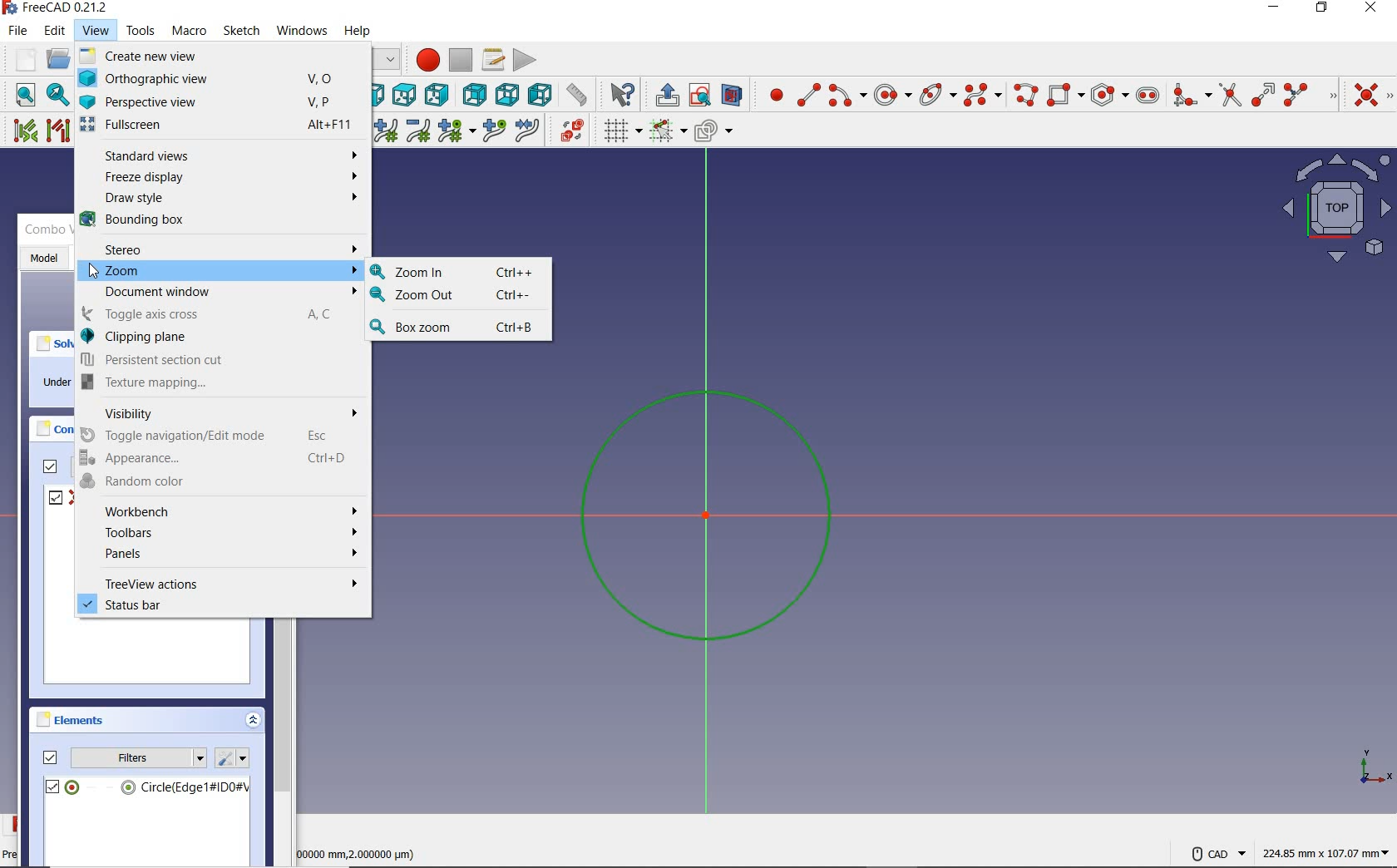 The image size is (1397, 868). I want to click on left, so click(538, 93).